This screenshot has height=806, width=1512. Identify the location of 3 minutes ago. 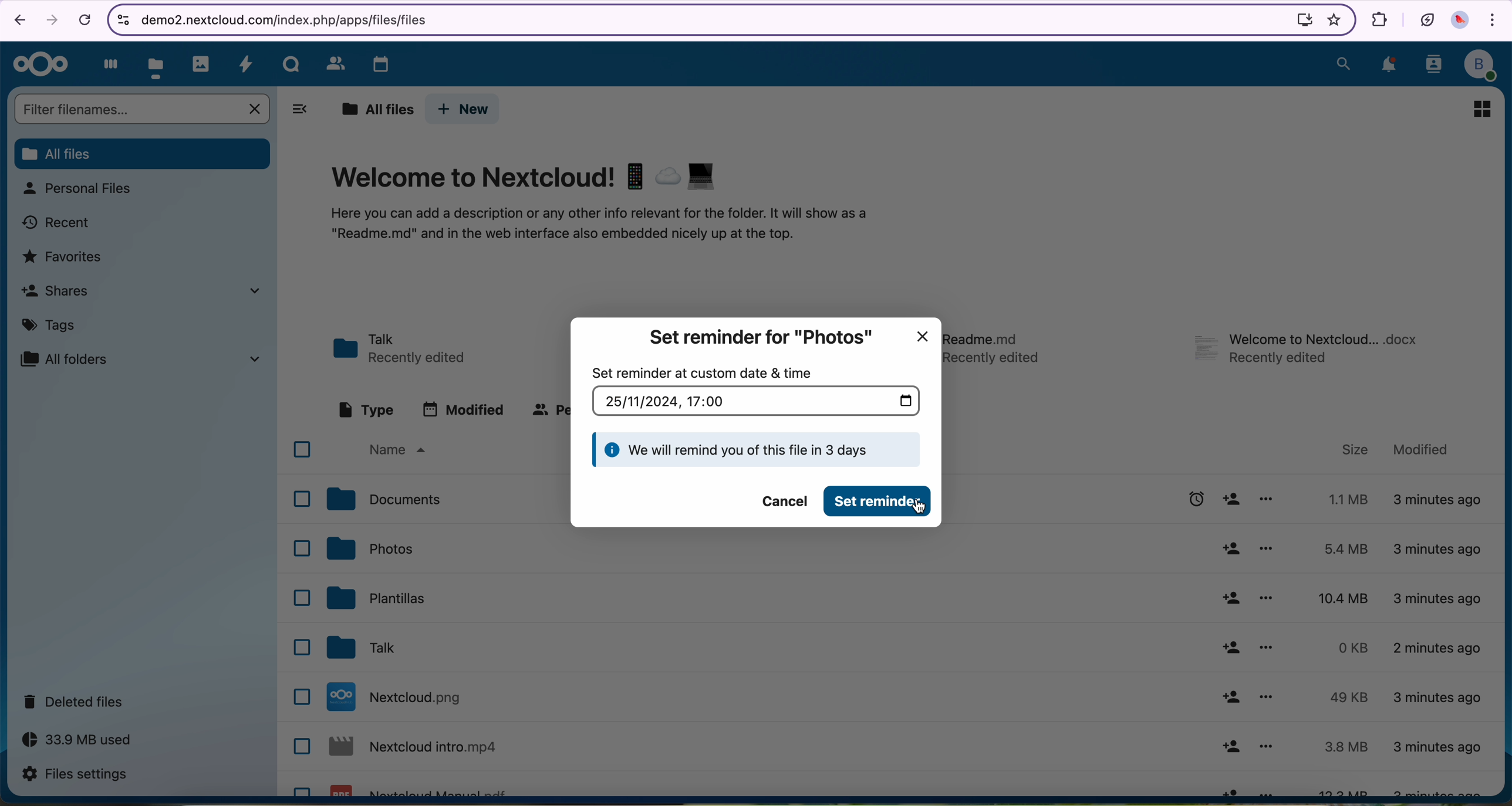
(1437, 748).